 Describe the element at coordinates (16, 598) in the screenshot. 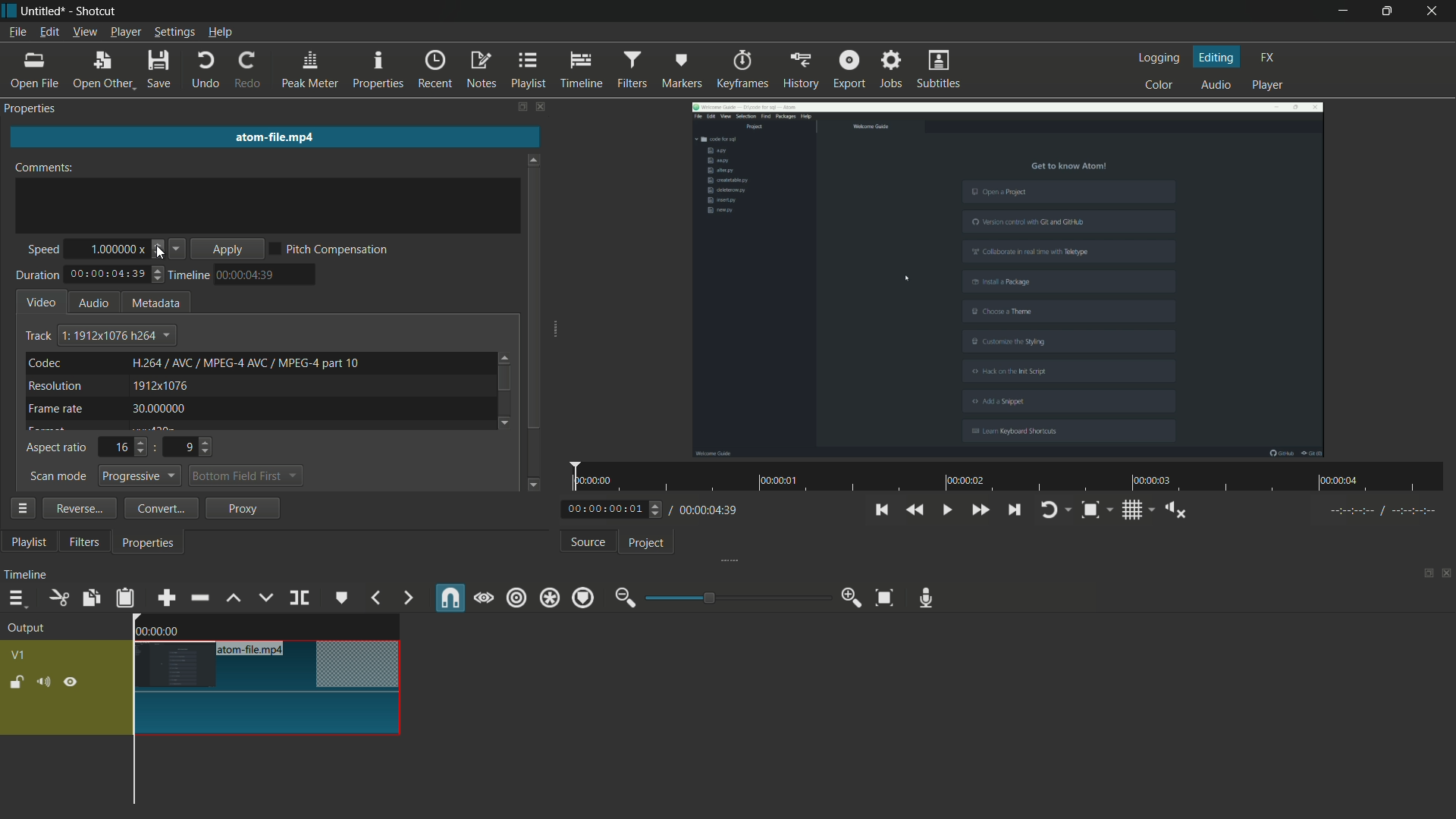

I see `timeline menu` at that location.